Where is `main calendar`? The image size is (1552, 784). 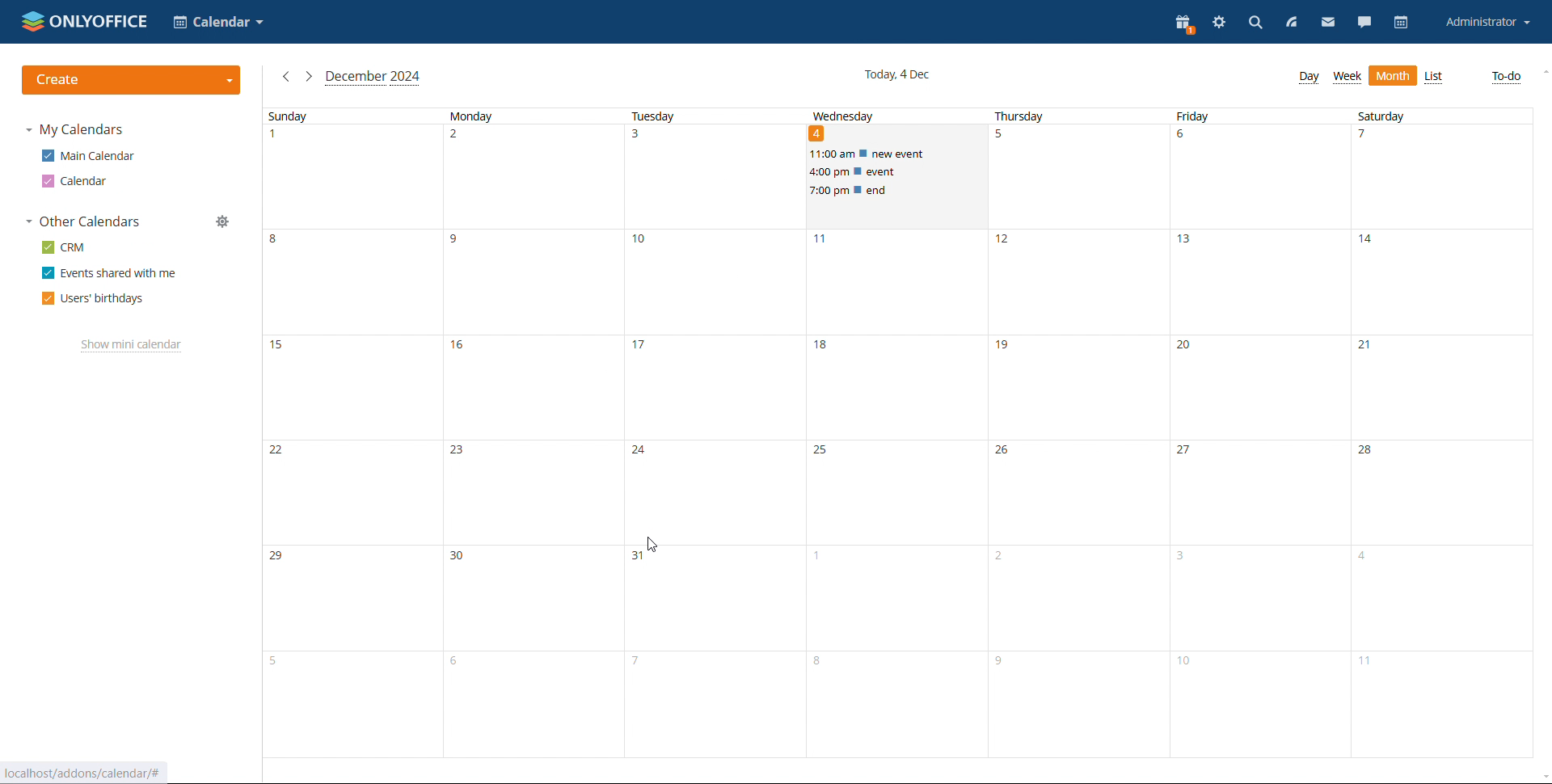 main calendar is located at coordinates (87, 156).